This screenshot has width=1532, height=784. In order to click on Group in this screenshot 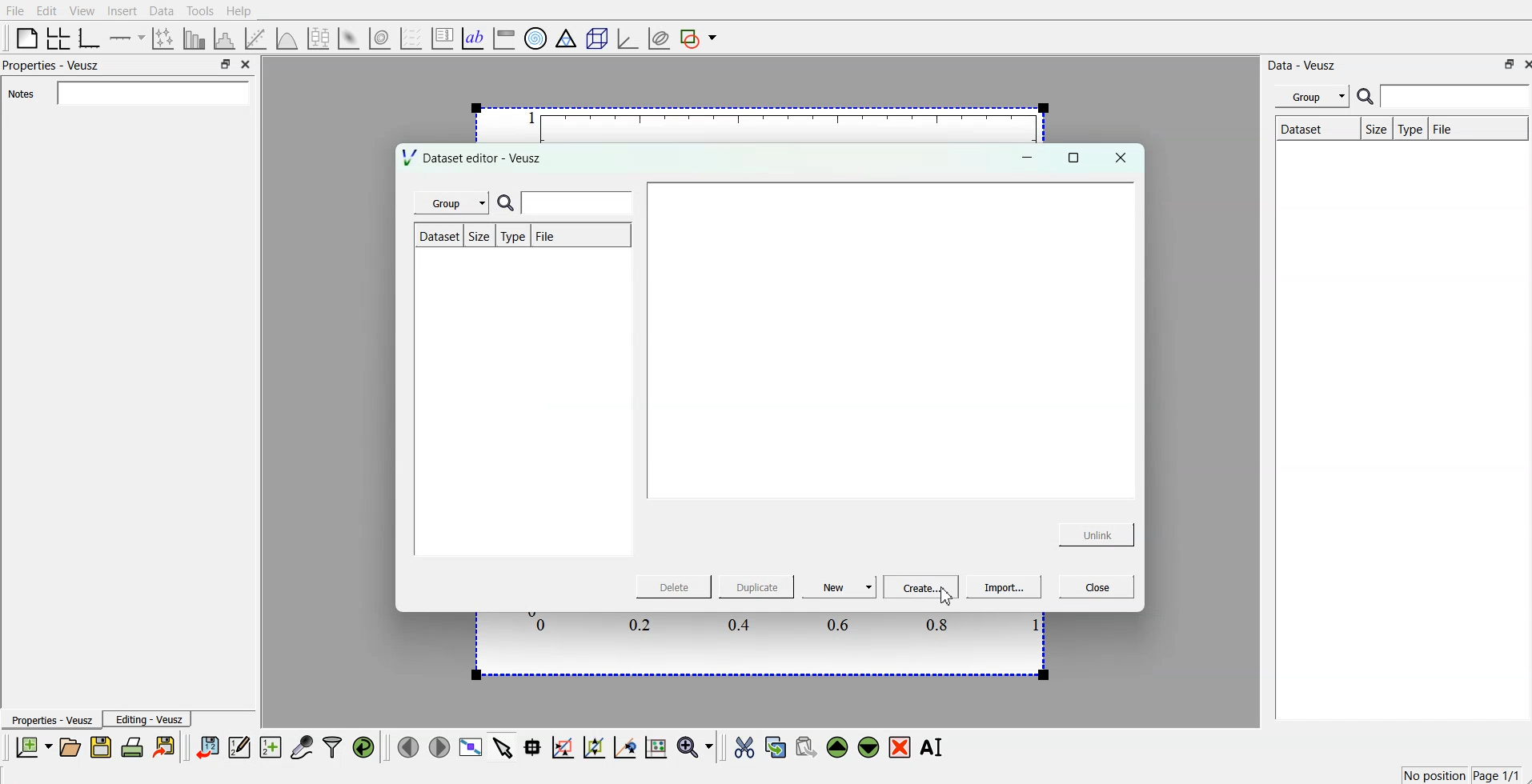, I will do `click(457, 203)`.